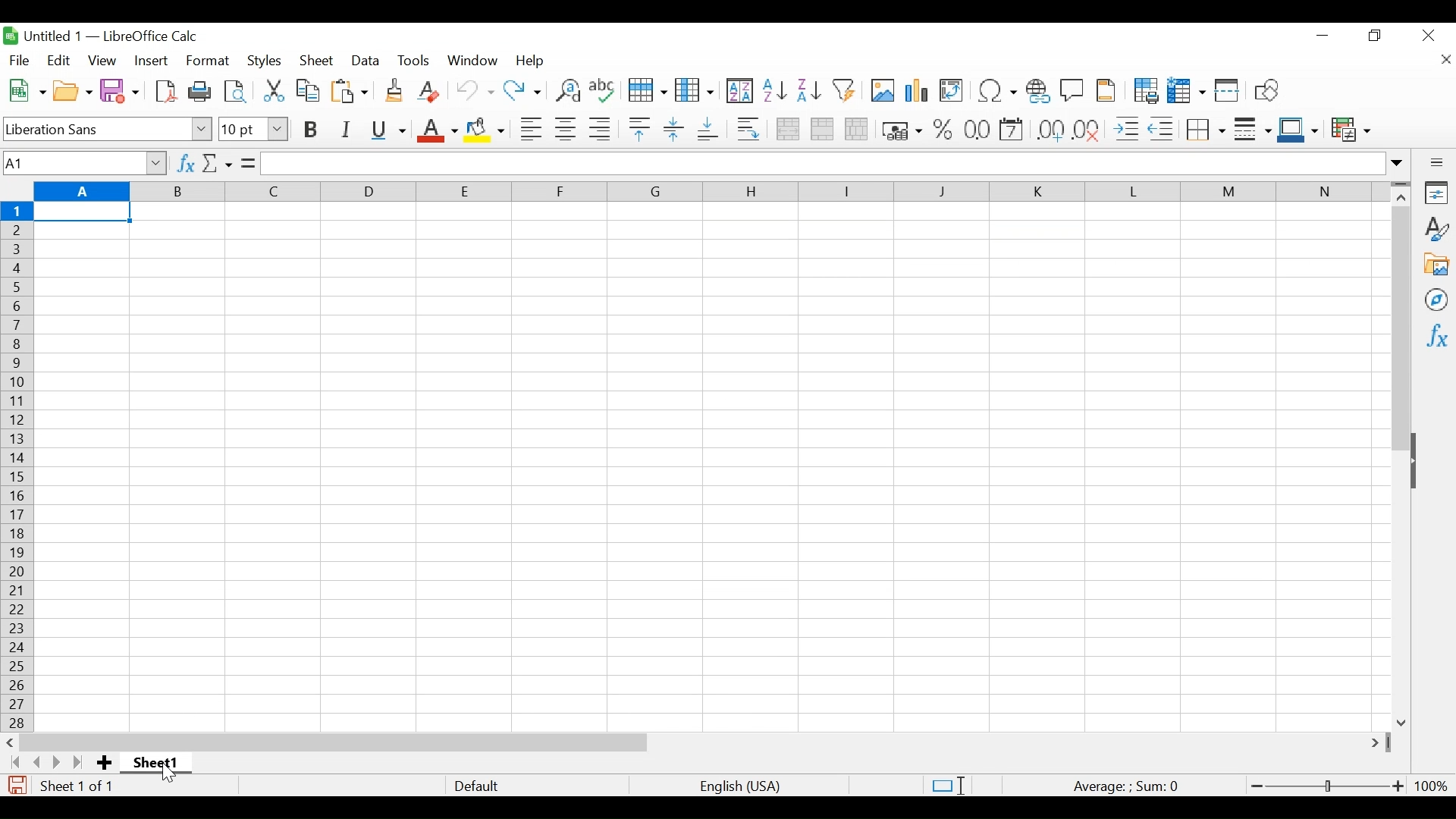 This screenshot has height=819, width=1456. I want to click on Merge cells, so click(821, 129).